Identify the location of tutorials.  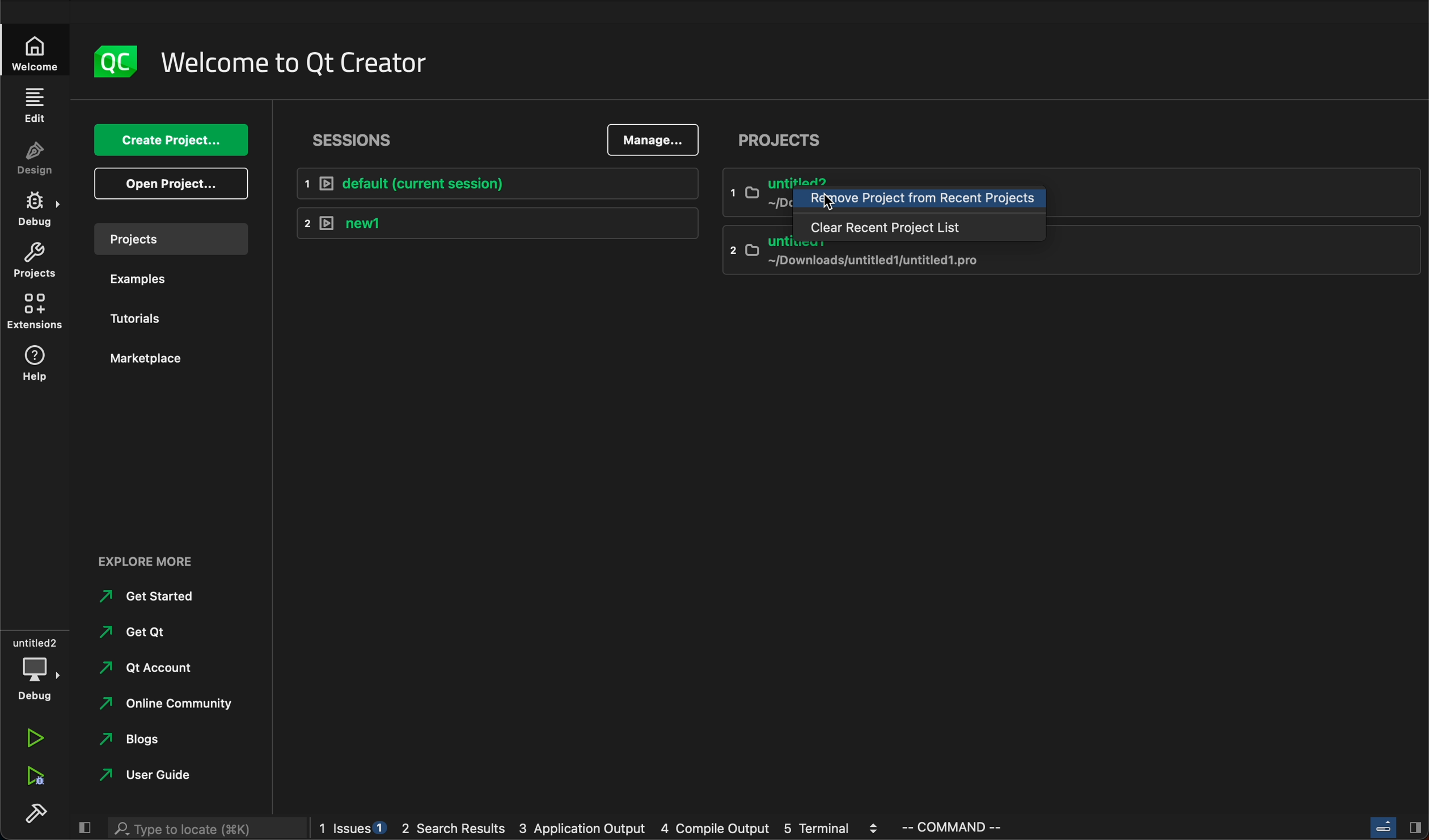
(158, 316).